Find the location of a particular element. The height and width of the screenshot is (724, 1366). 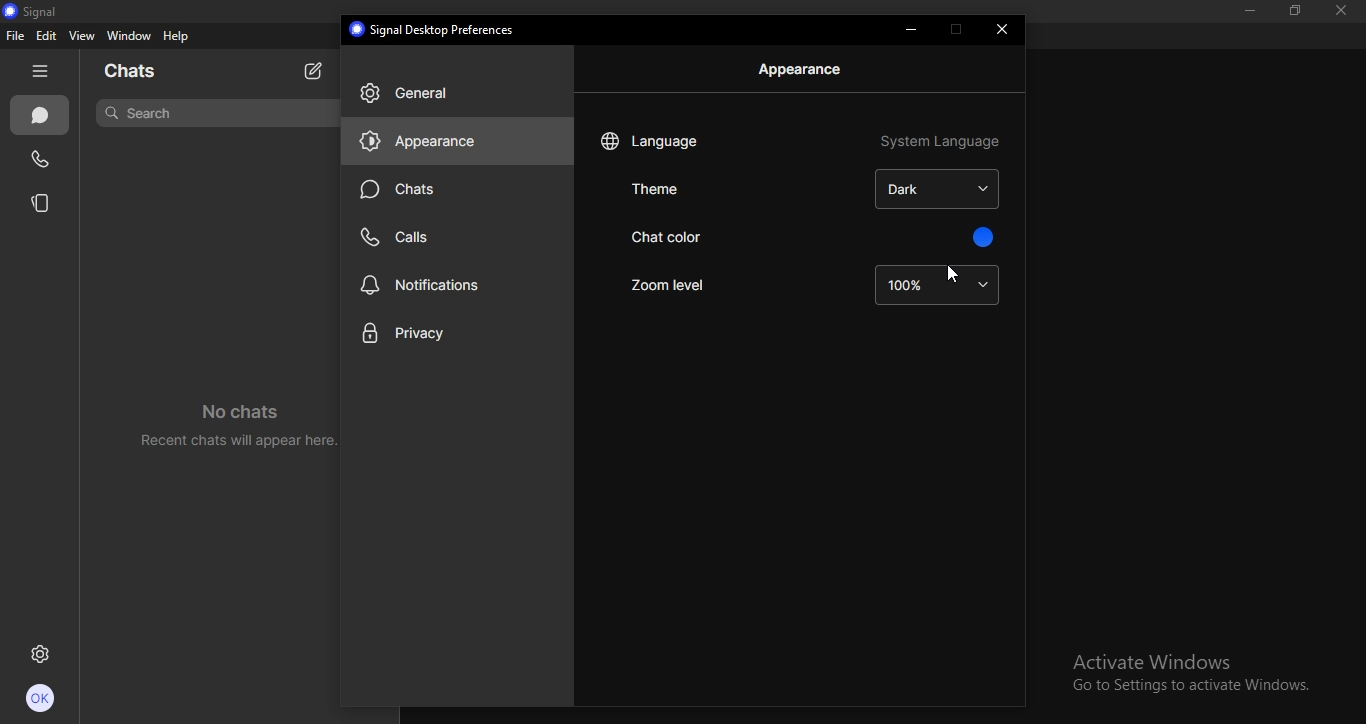

search is located at coordinates (142, 111).